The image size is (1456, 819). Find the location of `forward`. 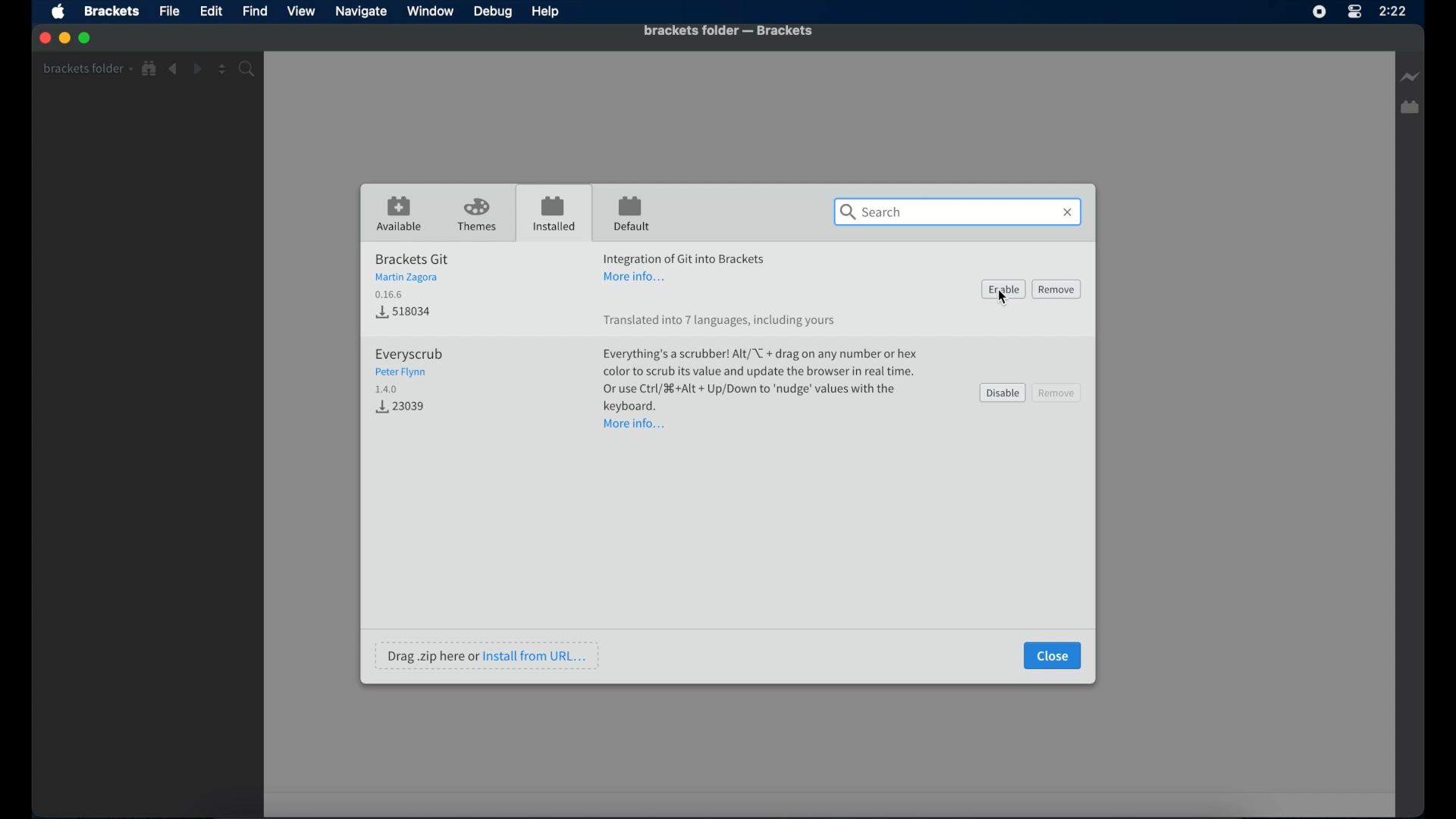

forward is located at coordinates (197, 69).